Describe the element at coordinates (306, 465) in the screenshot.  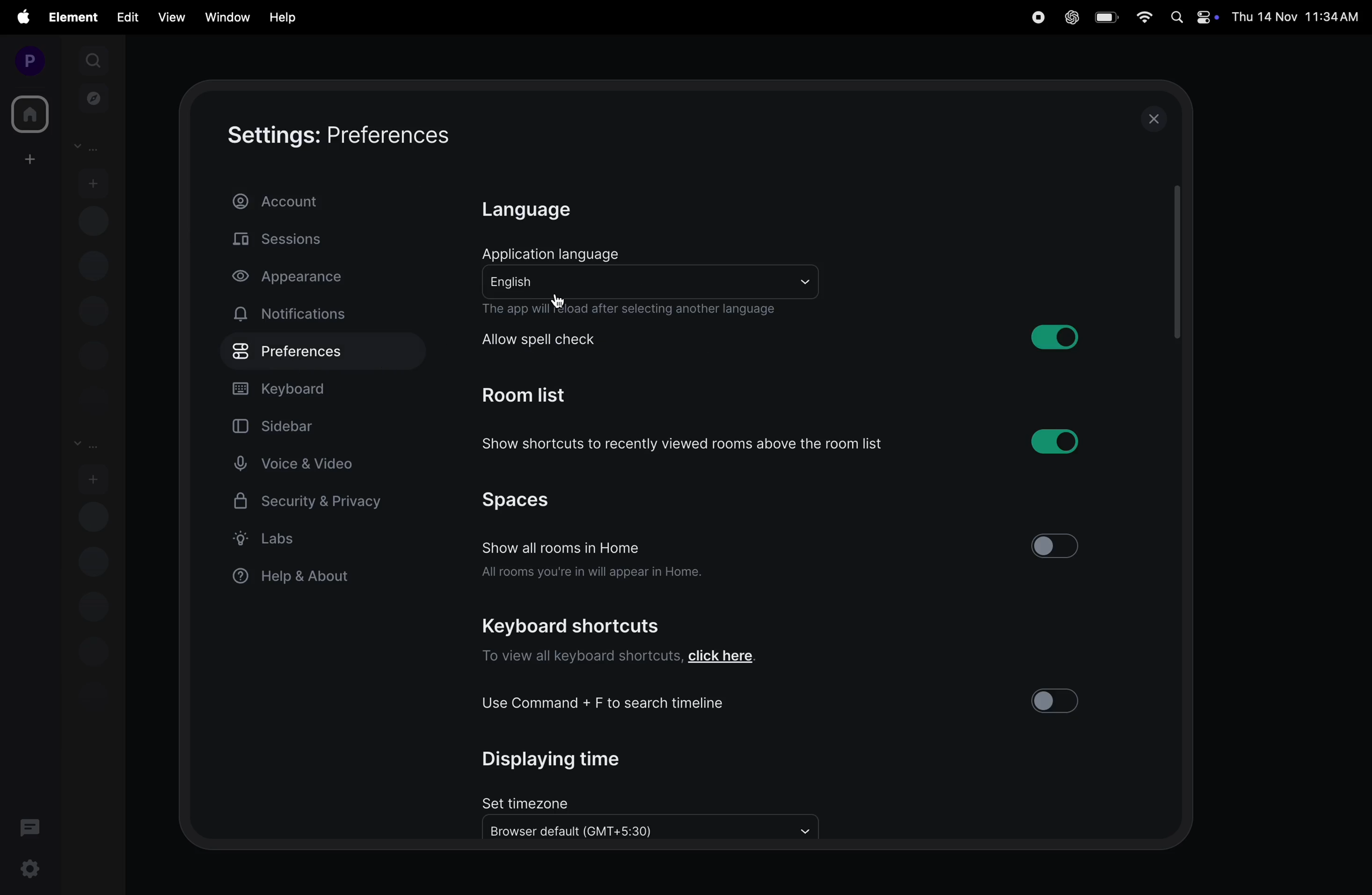
I see `voice and video` at that location.